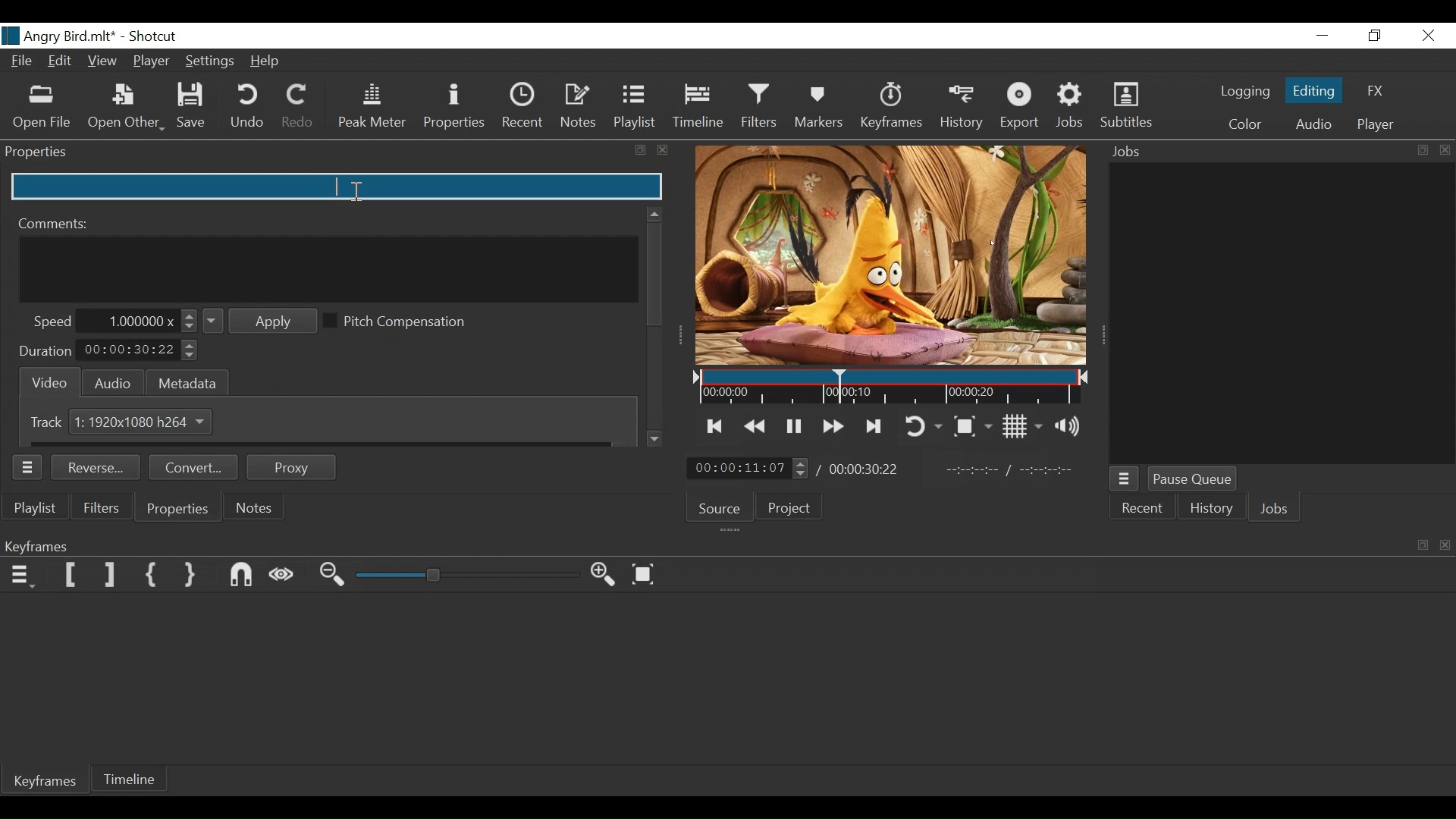  Describe the element at coordinates (1145, 509) in the screenshot. I see `Recent` at that location.